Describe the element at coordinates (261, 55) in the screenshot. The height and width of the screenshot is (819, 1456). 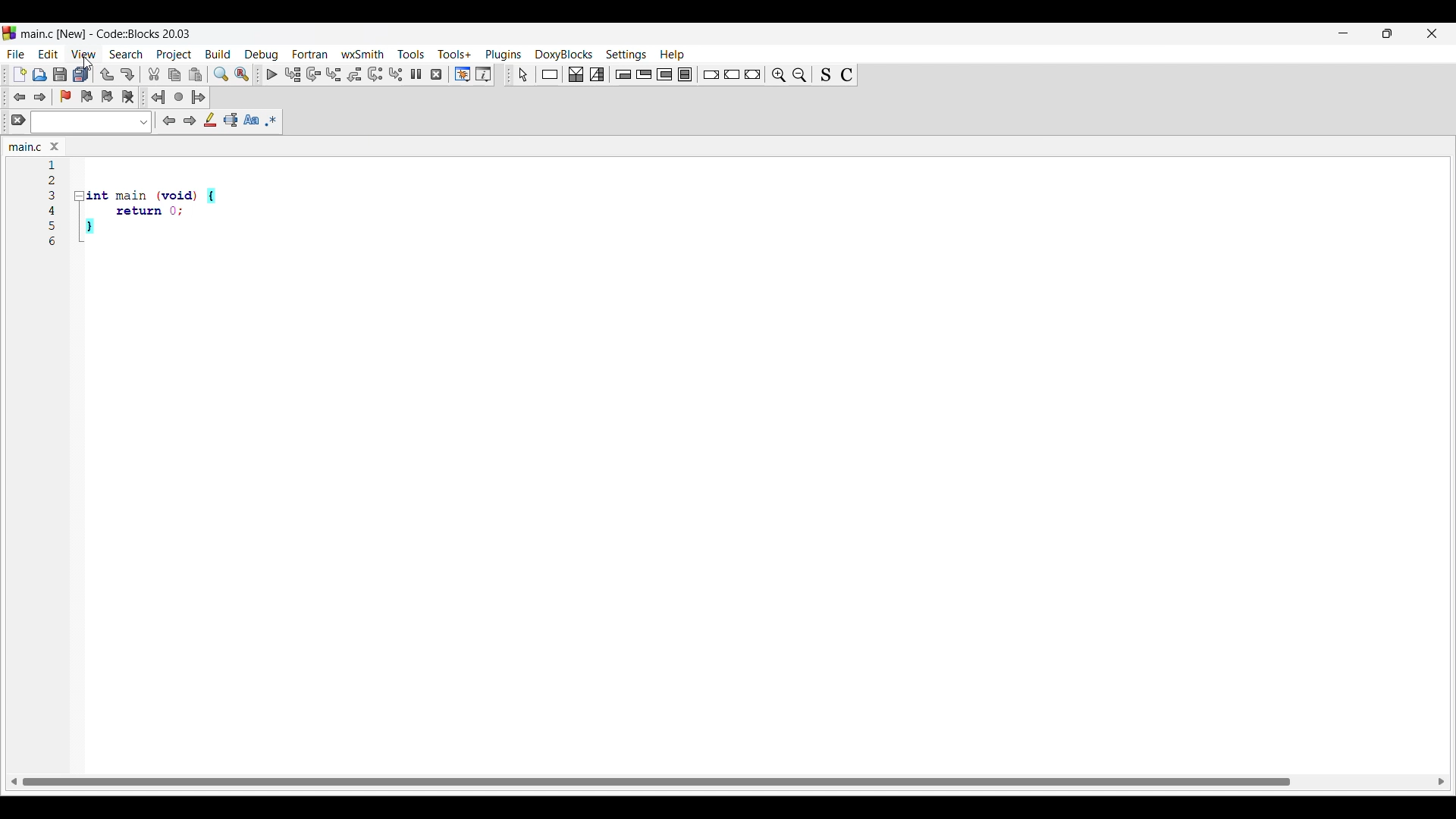
I see `Debug menu` at that location.